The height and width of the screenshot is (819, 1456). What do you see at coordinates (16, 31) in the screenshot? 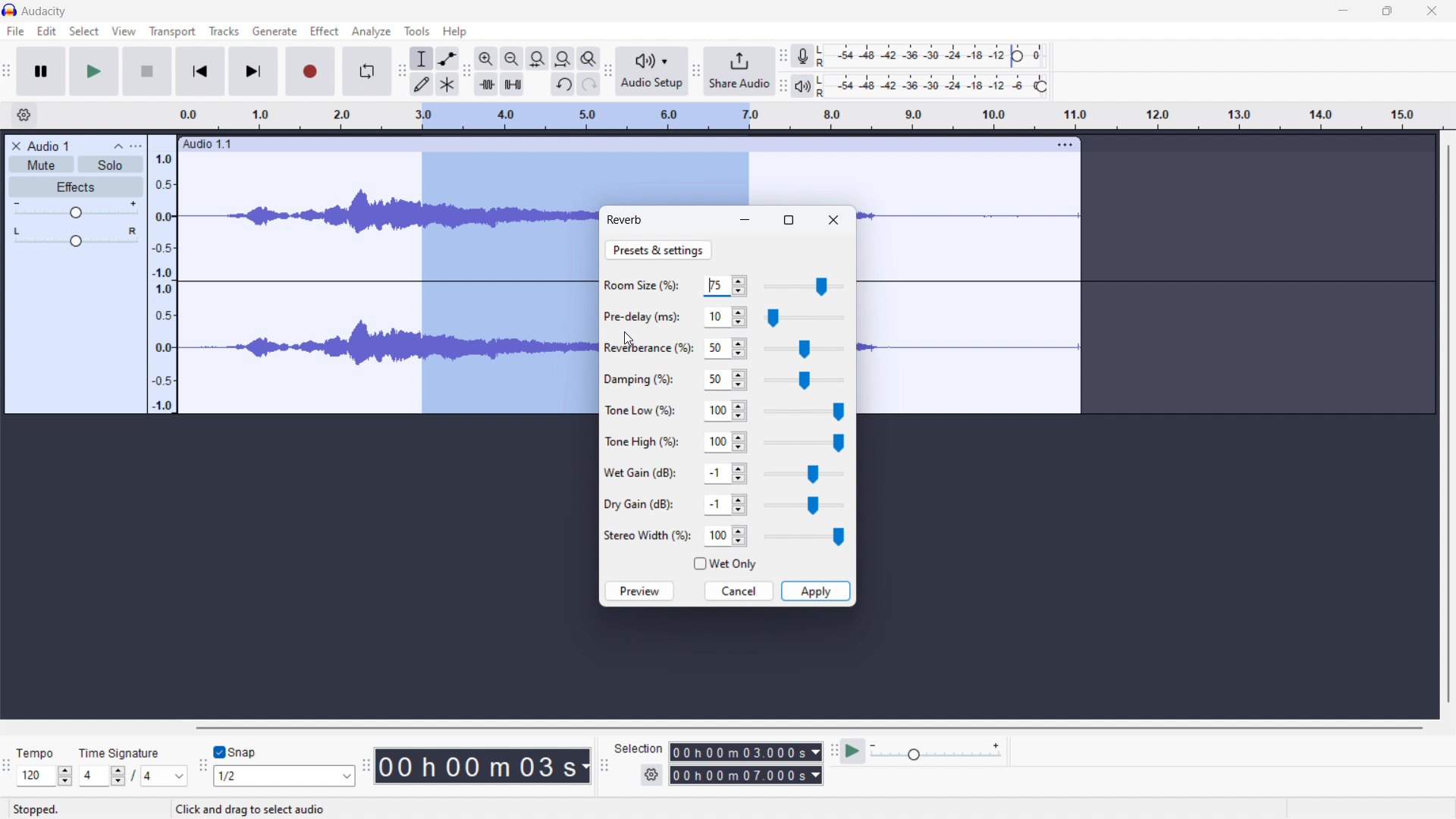
I see `file` at bounding box center [16, 31].